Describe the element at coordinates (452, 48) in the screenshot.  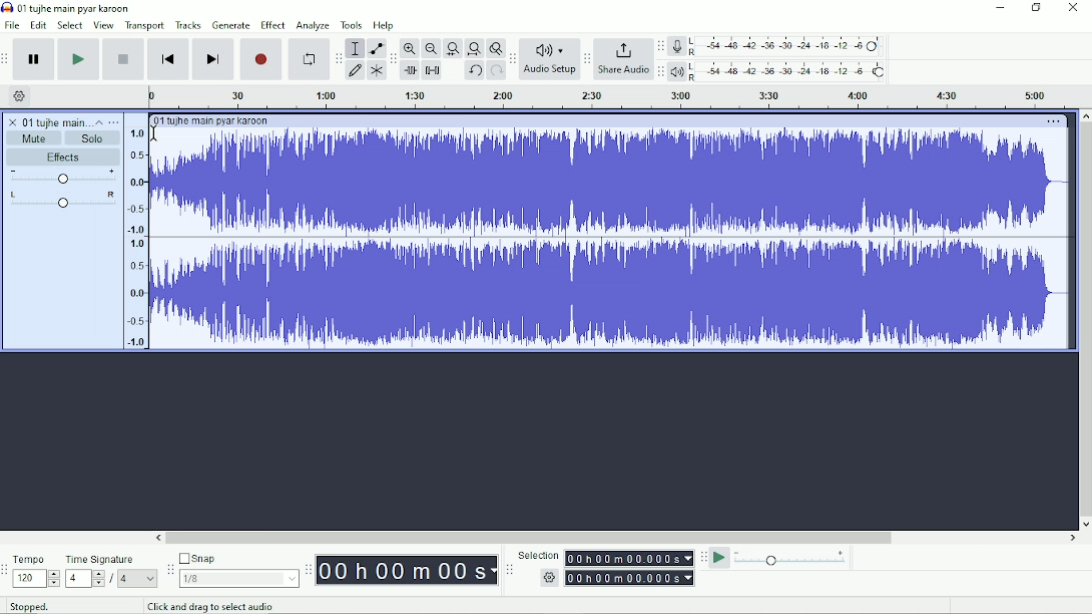
I see `Fit selection to width` at that location.